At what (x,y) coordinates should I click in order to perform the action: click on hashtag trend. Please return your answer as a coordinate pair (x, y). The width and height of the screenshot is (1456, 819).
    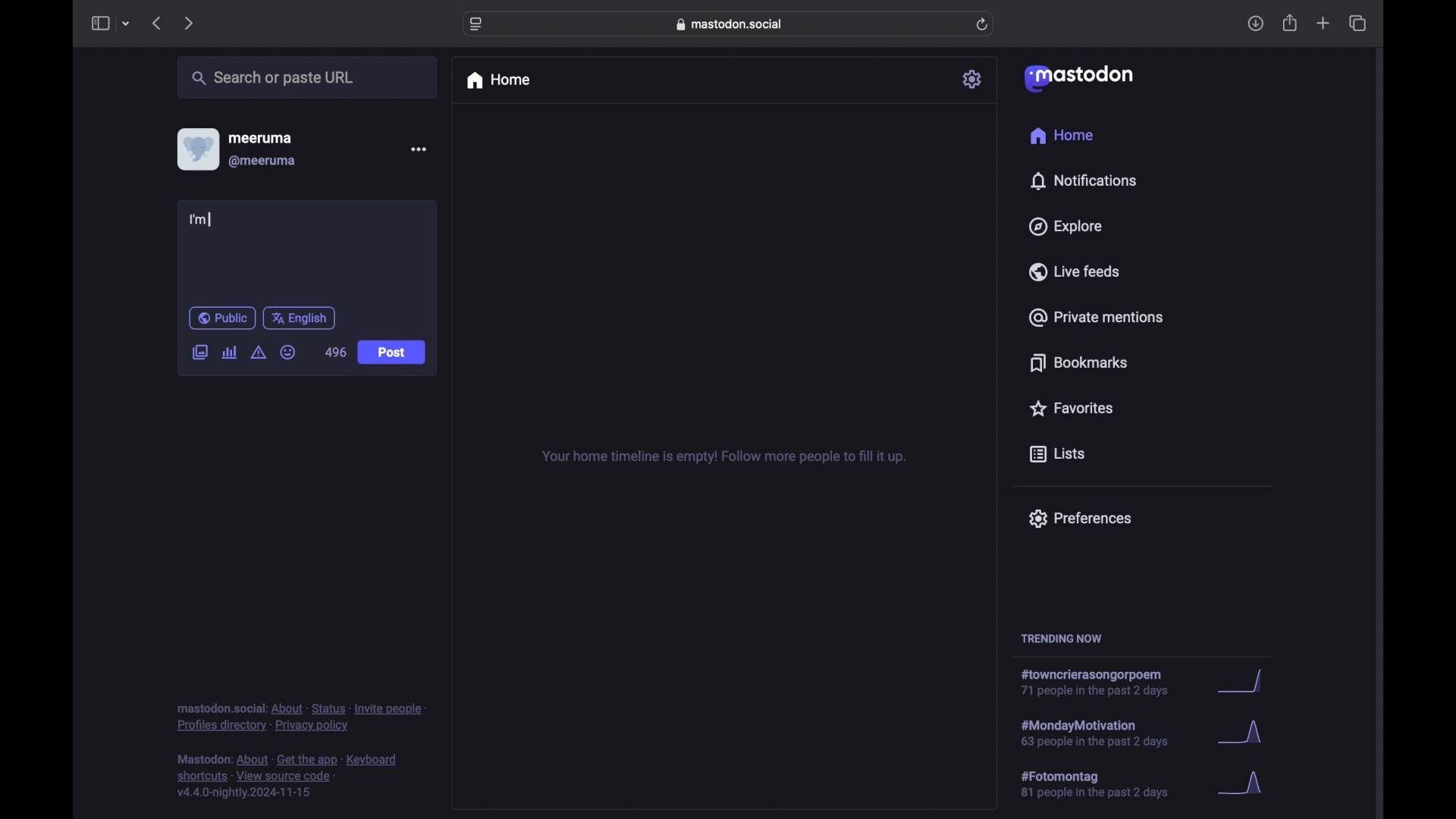
    Looking at the image, I should click on (1105, 783).